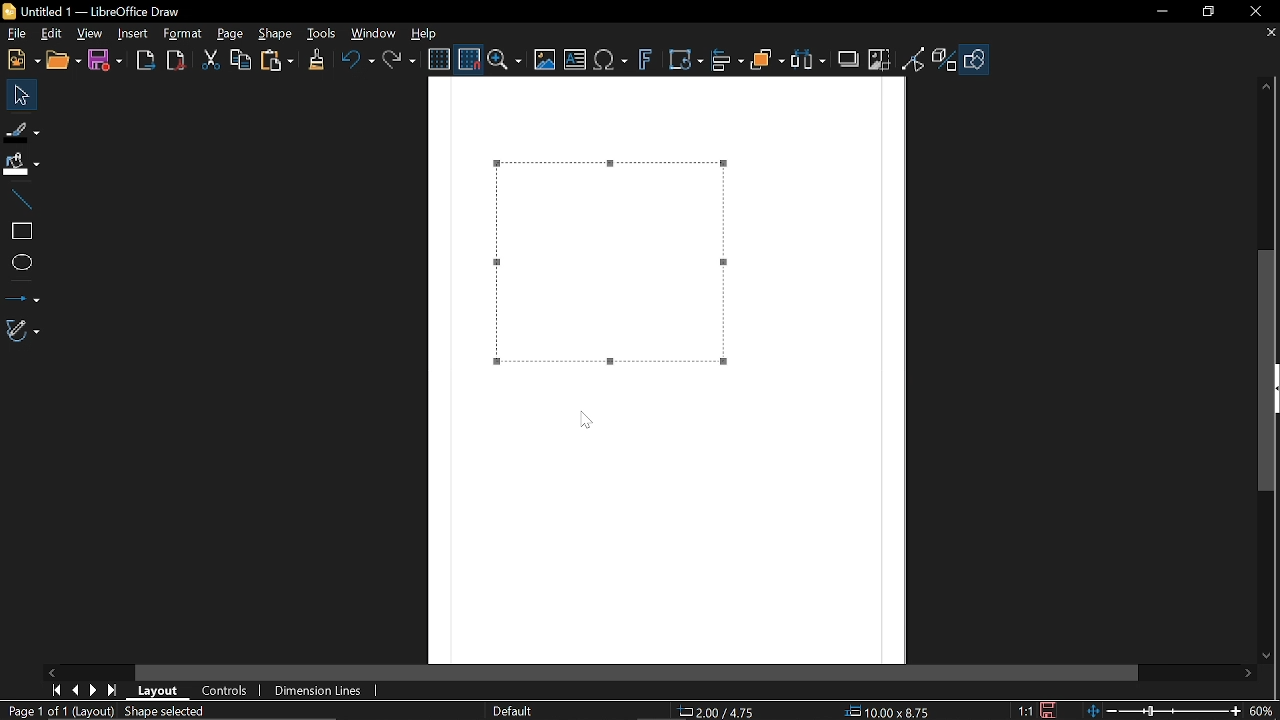 The width and height of the screenshot is (1280, 720). I want to click on Insert fontwork, so click(646, 61).